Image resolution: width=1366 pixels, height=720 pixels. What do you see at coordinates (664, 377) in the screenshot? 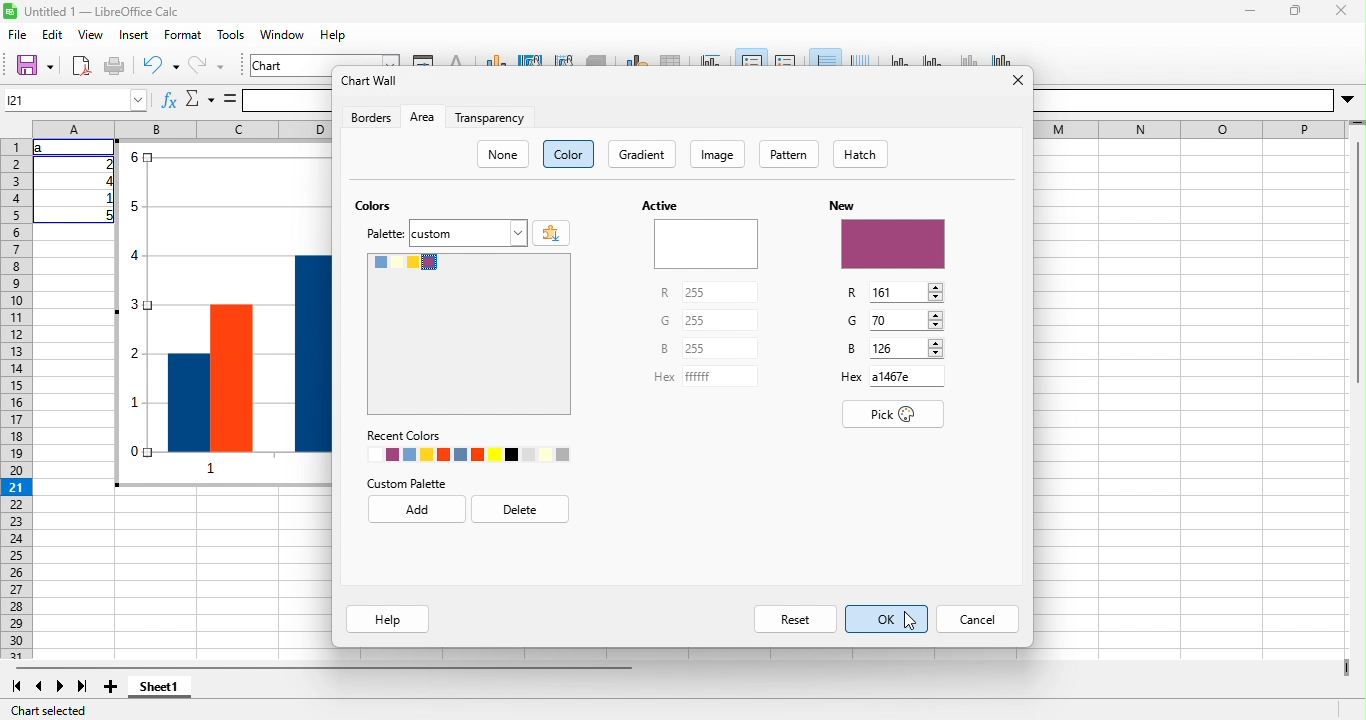
I see `Hex` at bounding box center [664, 377].